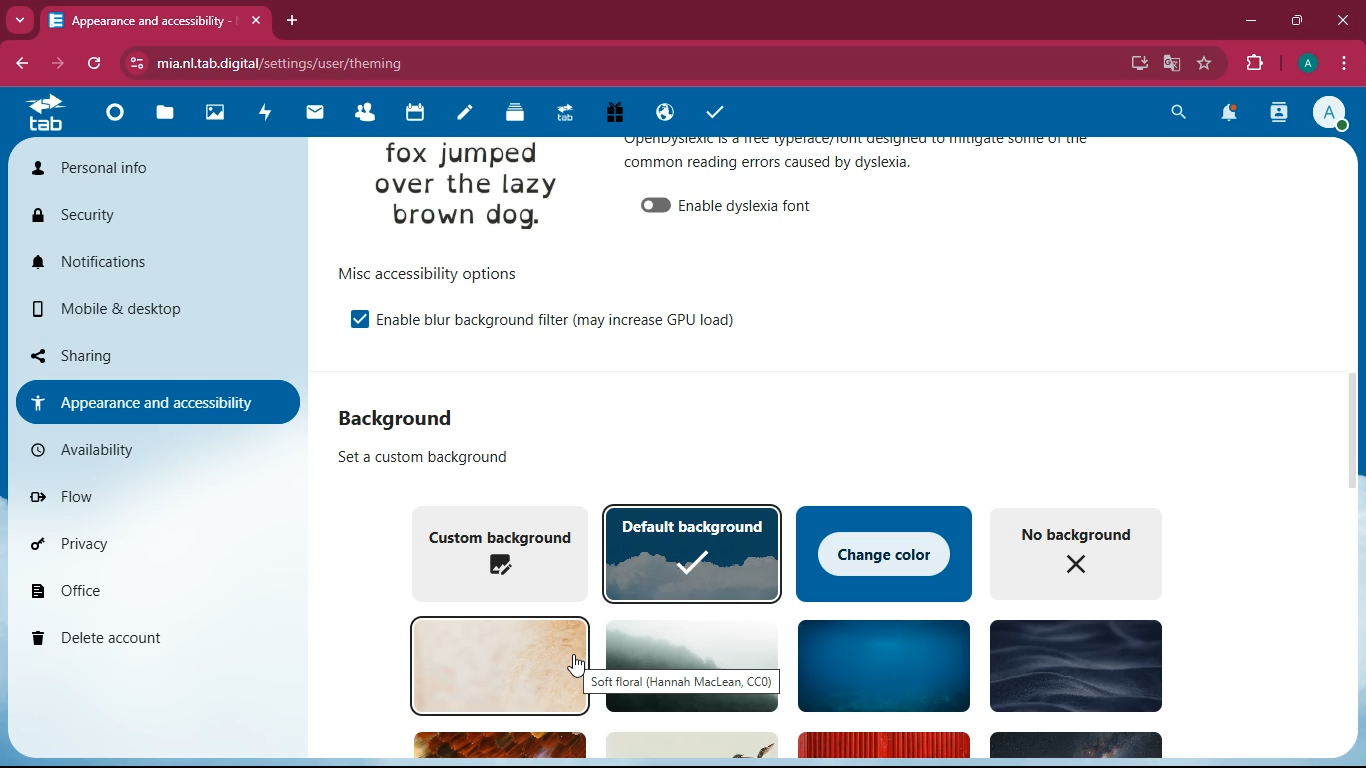 This screenshot has width=1366, height=768. I want to click on mail, so click(317, 116).